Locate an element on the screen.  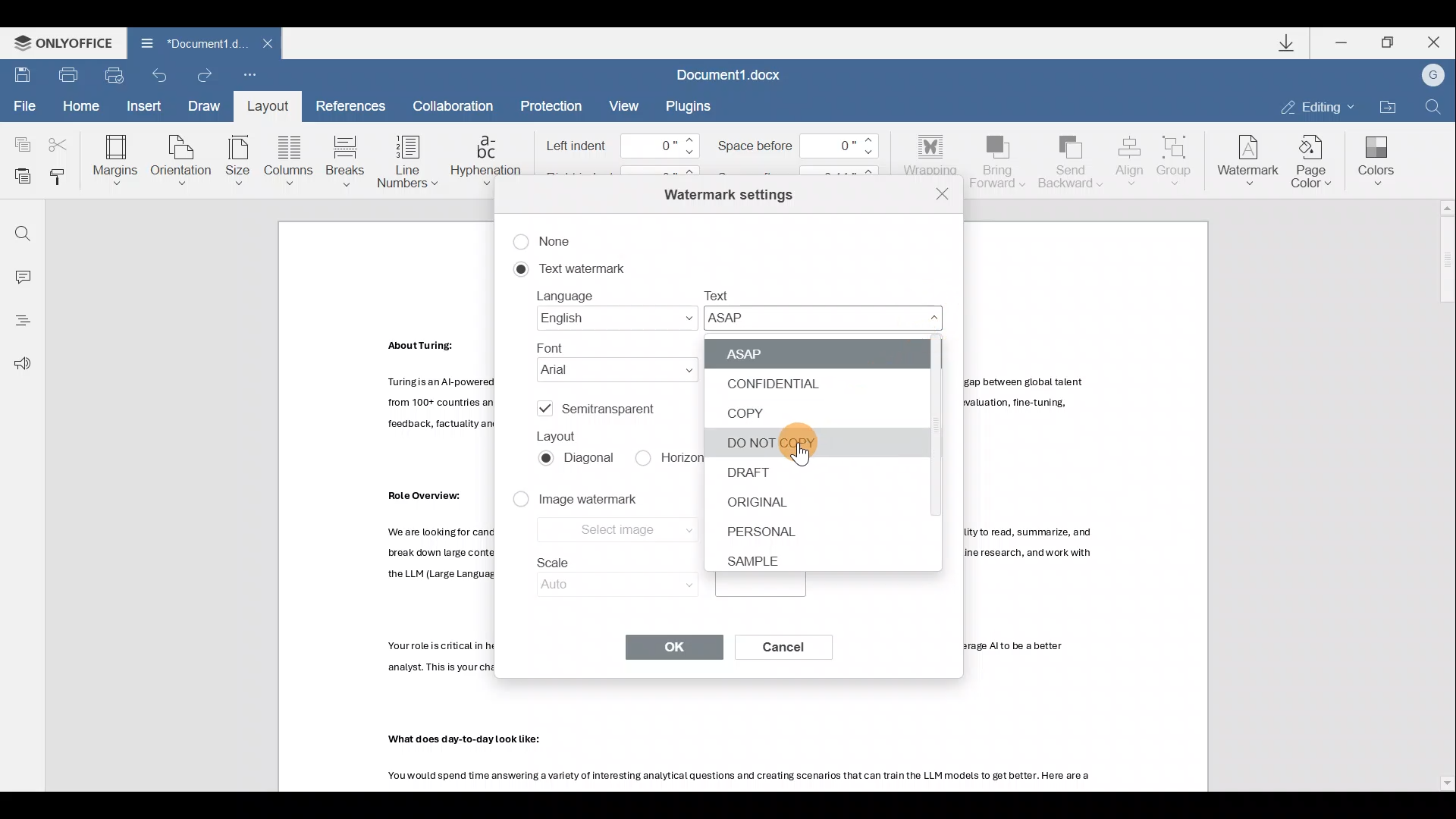
Horizontal is located at coordinates (672, 457).